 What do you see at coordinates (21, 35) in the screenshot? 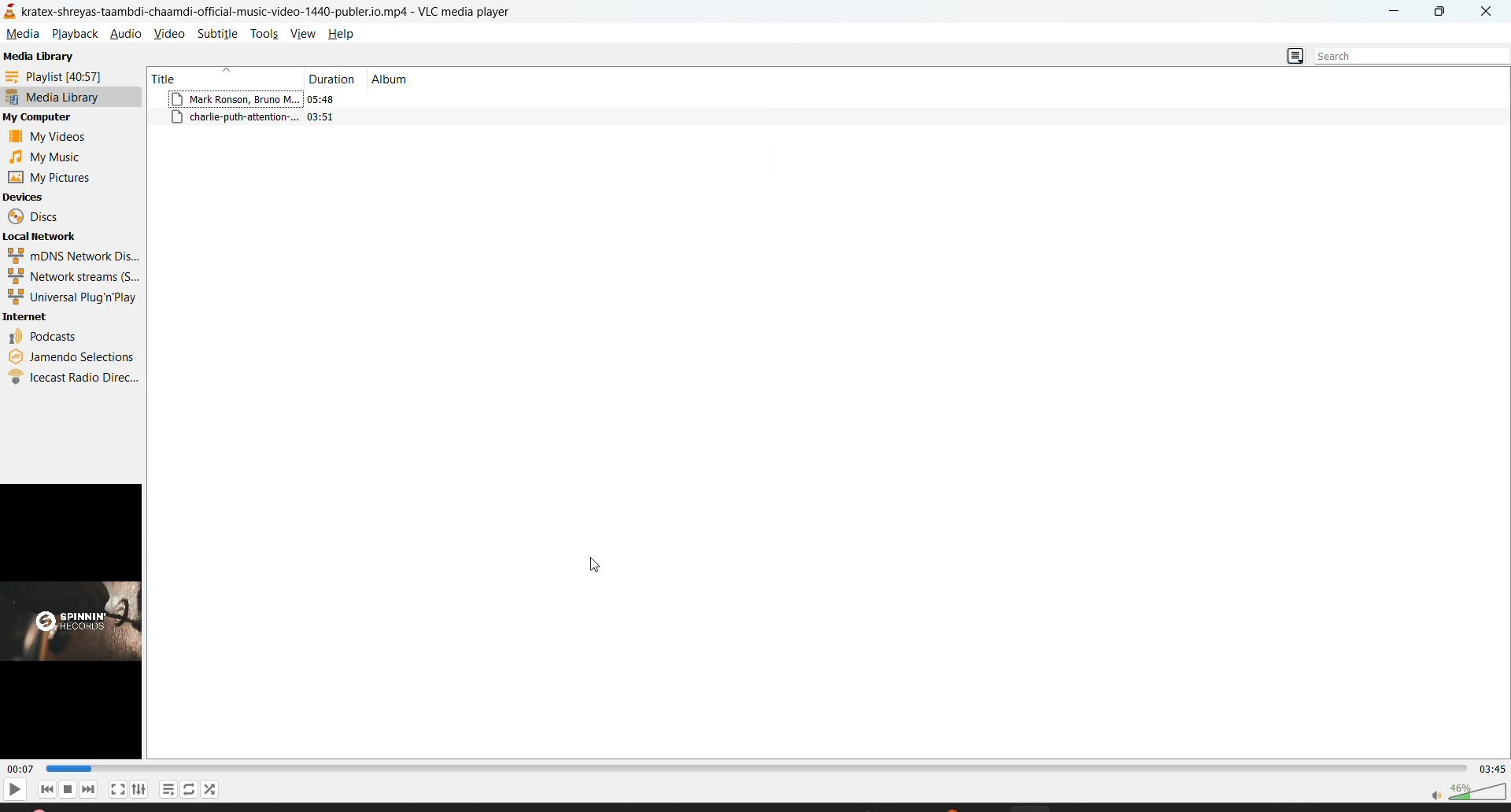
I see `media` at bounding box center [21, 35].